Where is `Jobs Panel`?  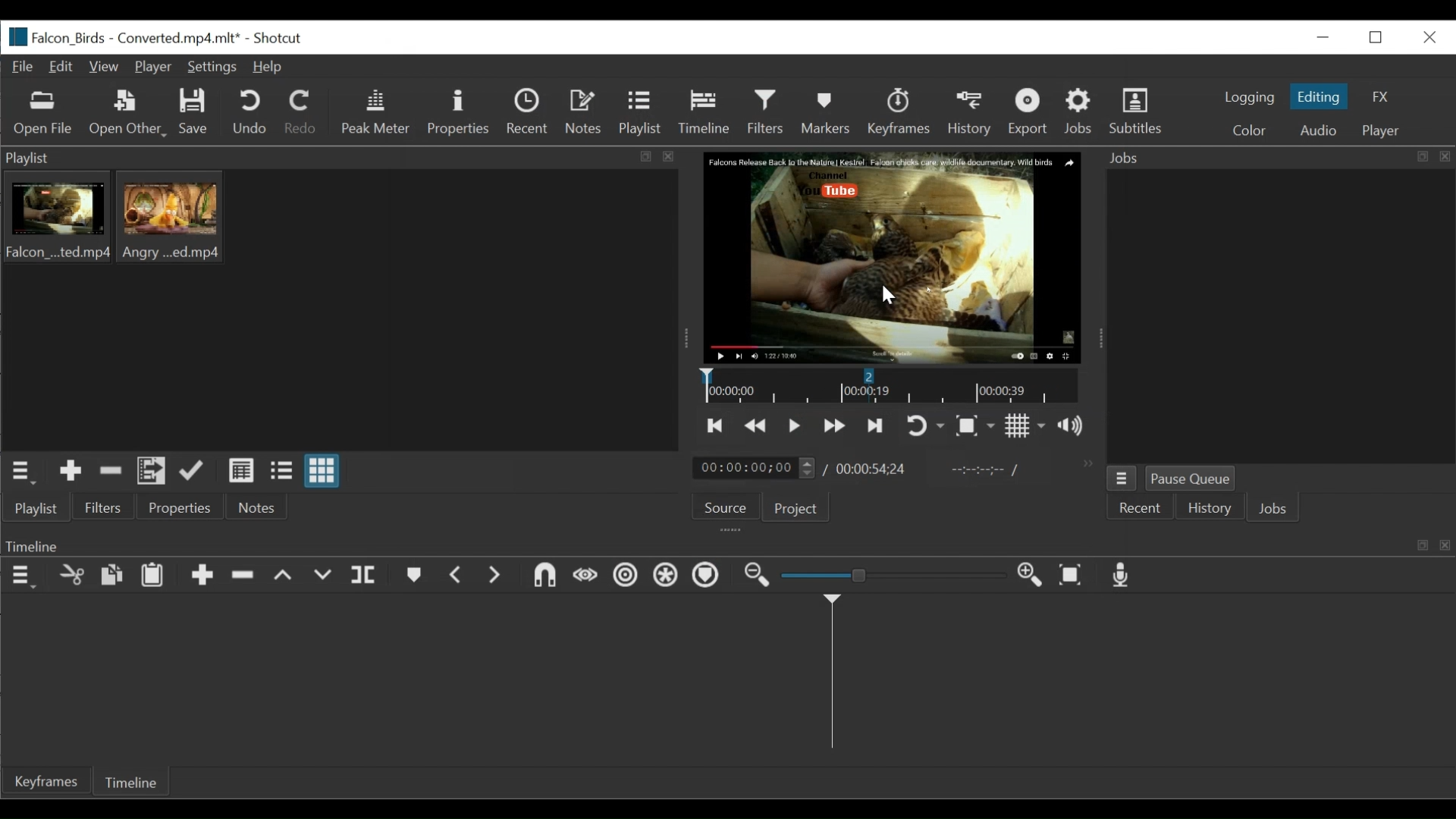 Jobs Panel is located at coordinates (1279, 316).